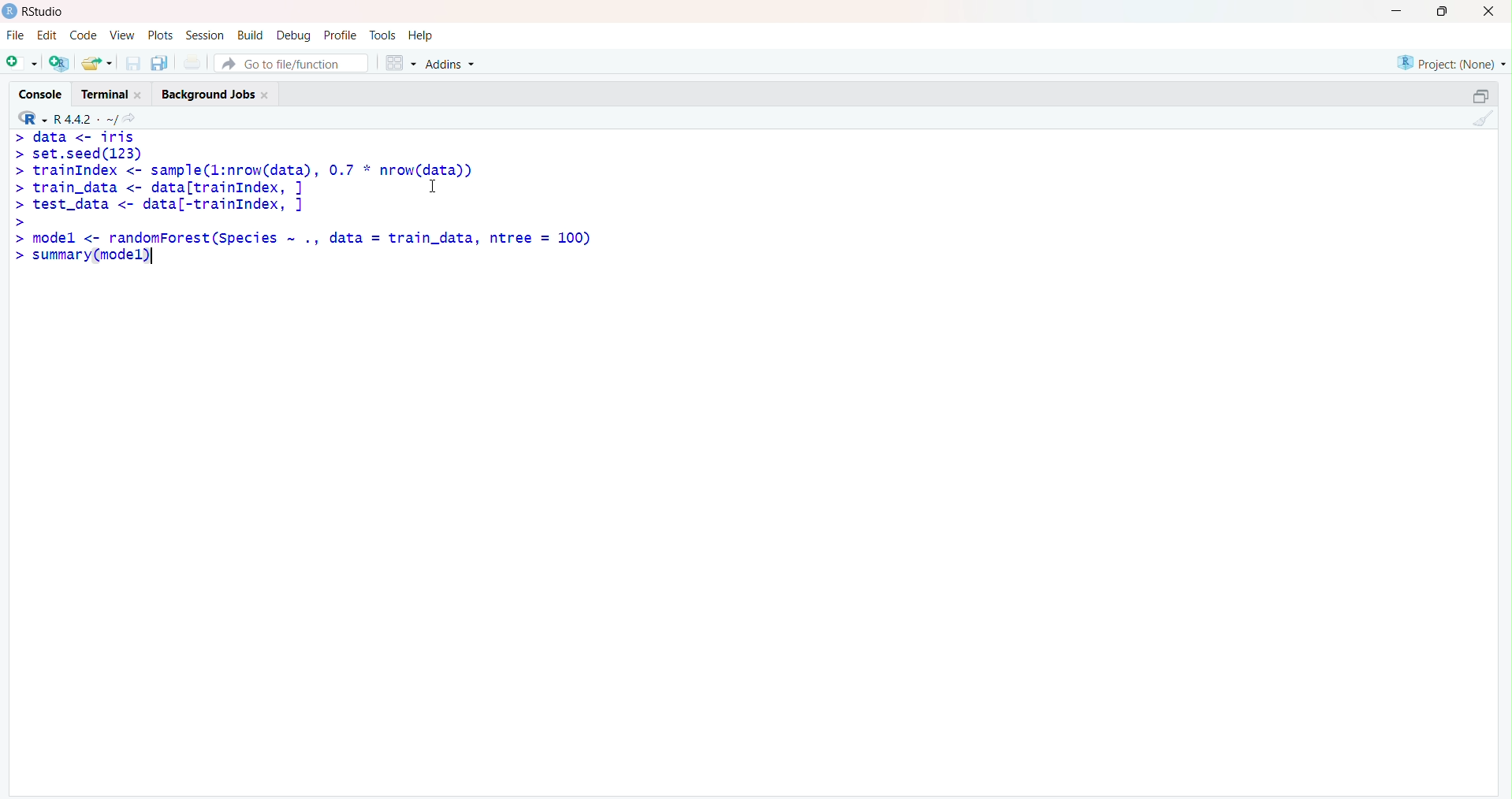 This screenshot has width=1512, height=799. Describe the element at coordinates (94, 258) in the screenshot. I see `Summary (model)` at that location.